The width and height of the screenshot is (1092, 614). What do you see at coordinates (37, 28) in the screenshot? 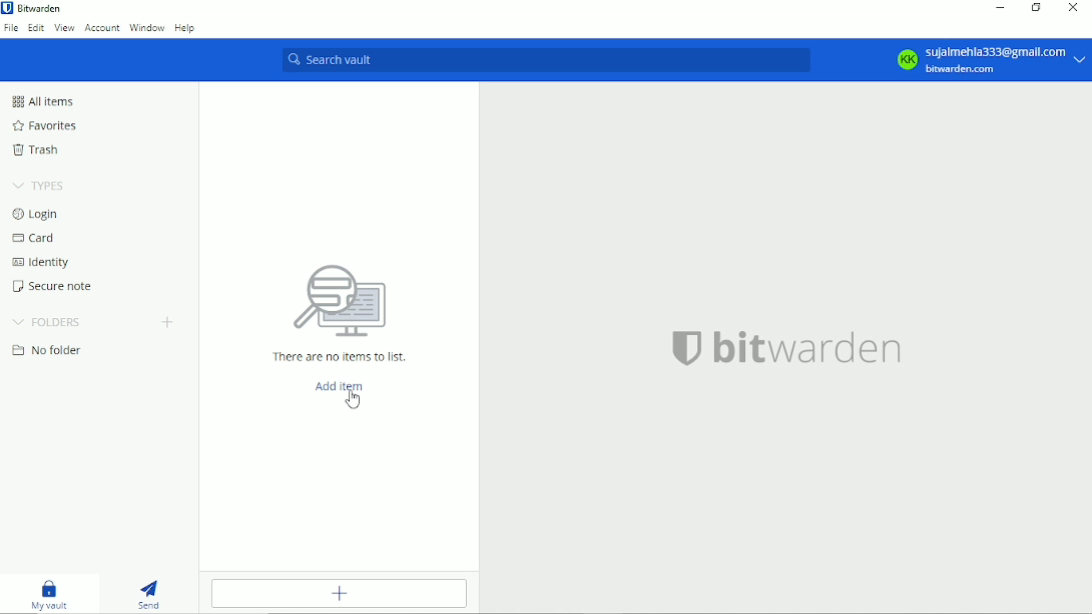
I see `Edit` at bounding box center [37, 28].